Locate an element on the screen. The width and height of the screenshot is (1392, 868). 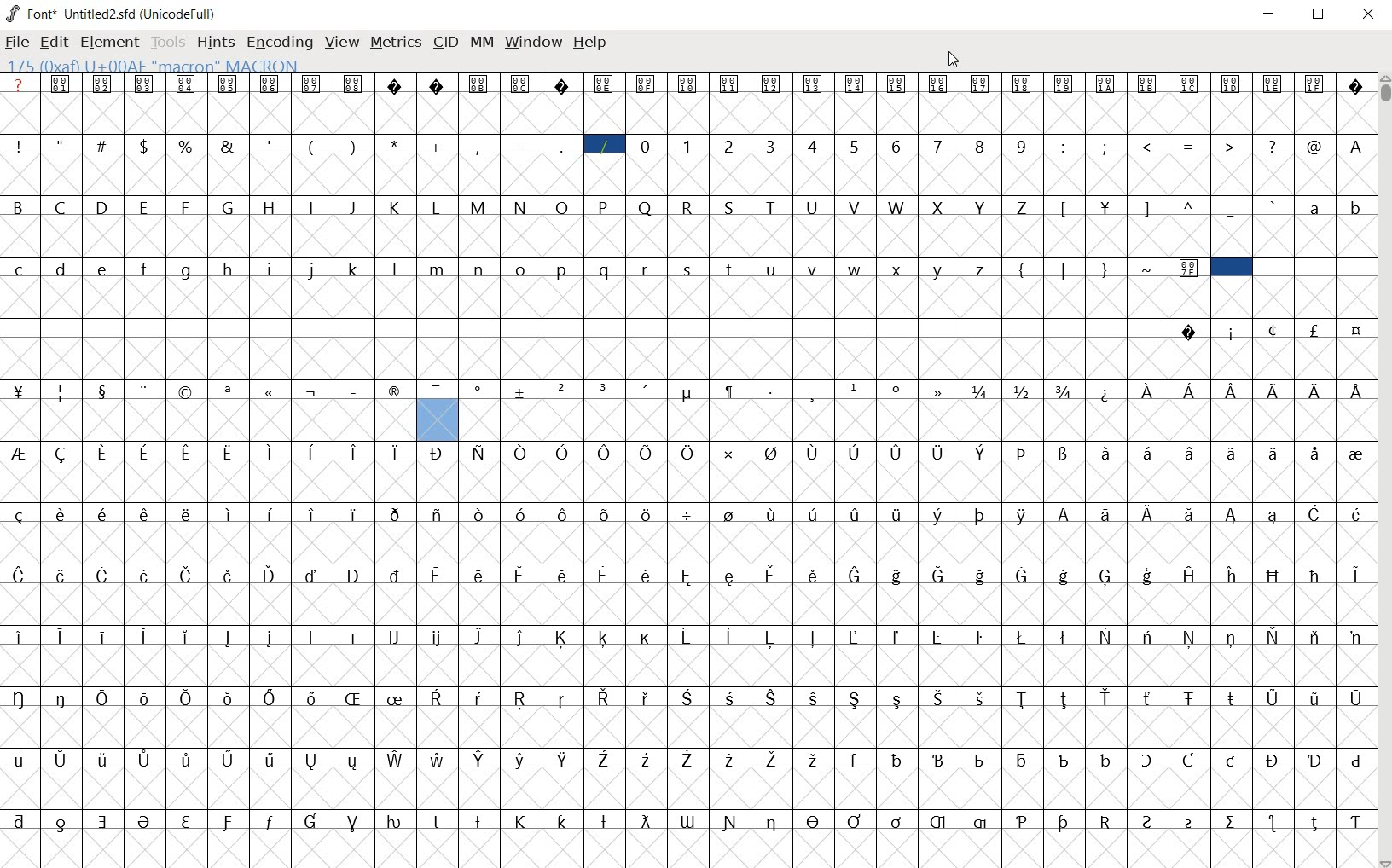
Symbol is located at coordinates (689, 83).